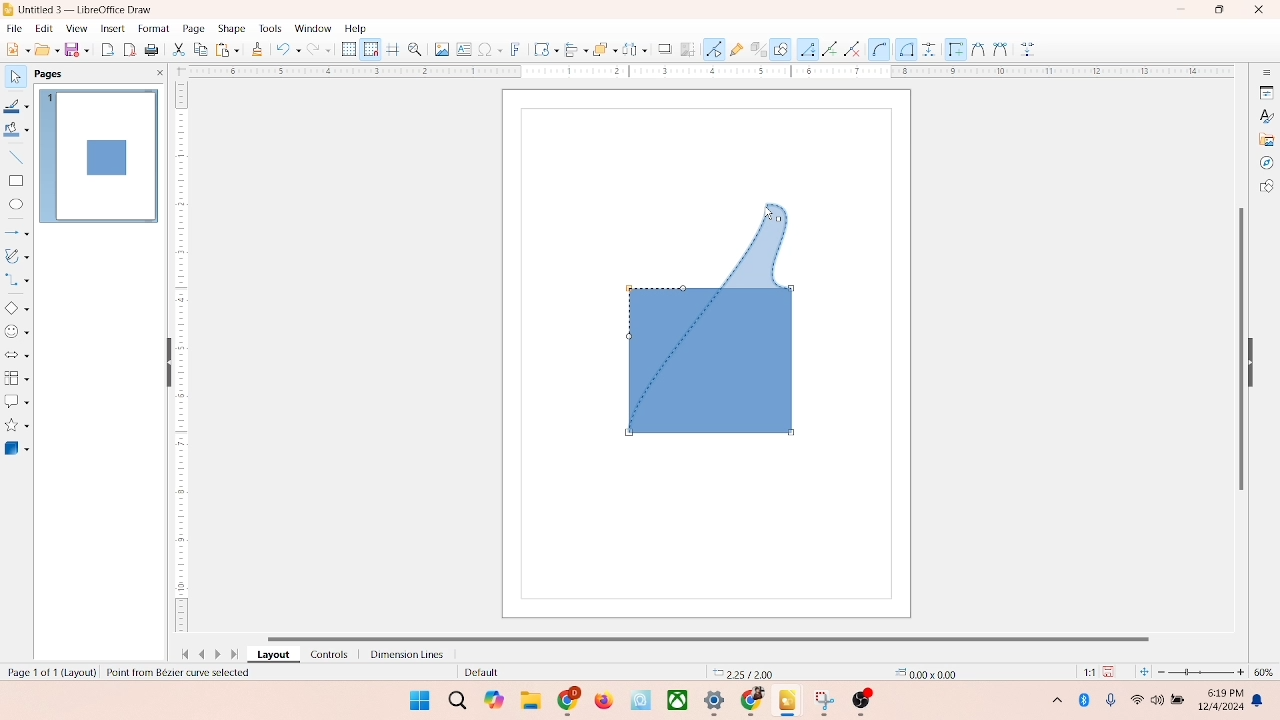  What do you see at coordinates (402, 654) in the screenshot?
I see `dimension lines` at bounding box center [402, 654].